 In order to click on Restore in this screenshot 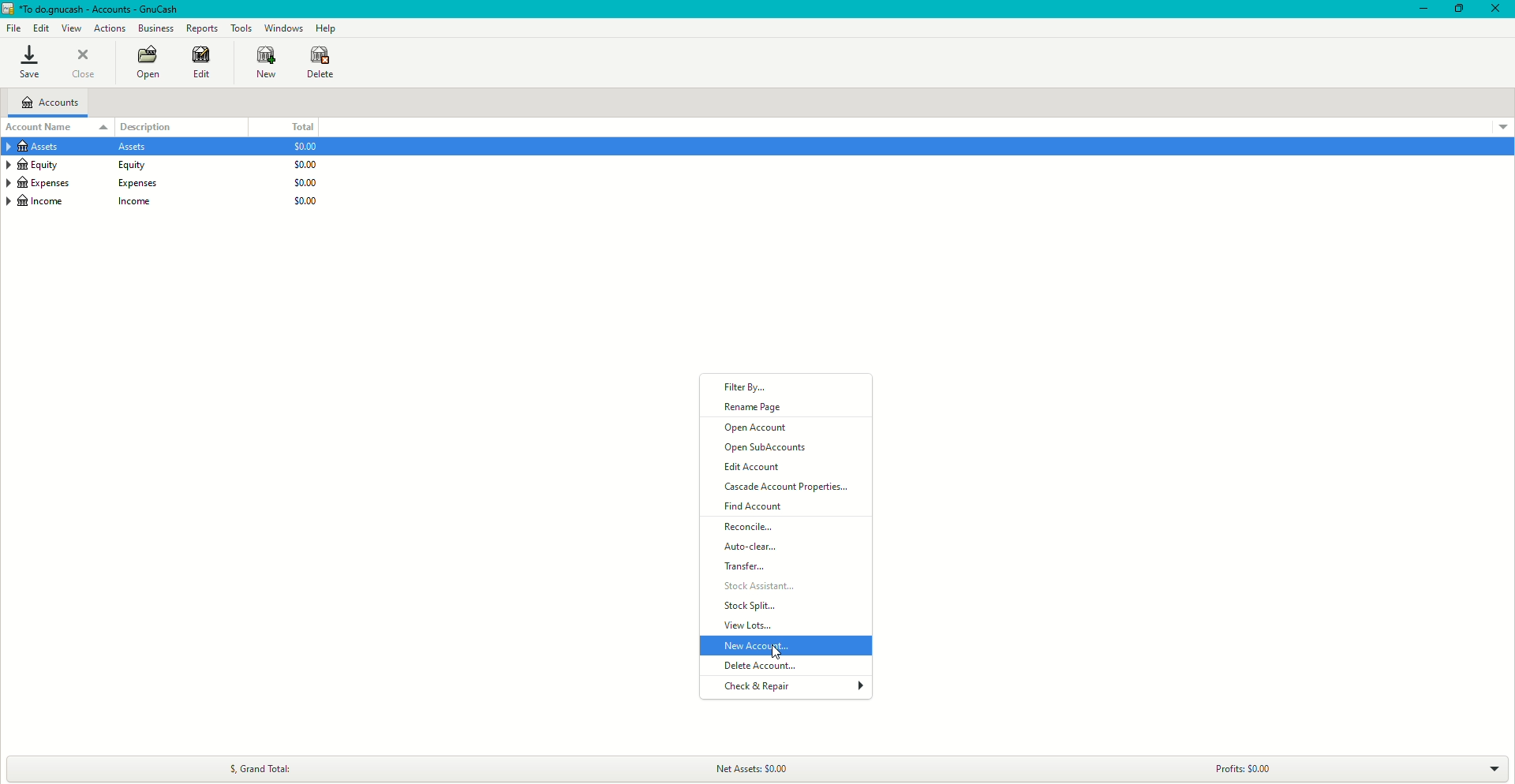, I will do `click(1457, 9)`.